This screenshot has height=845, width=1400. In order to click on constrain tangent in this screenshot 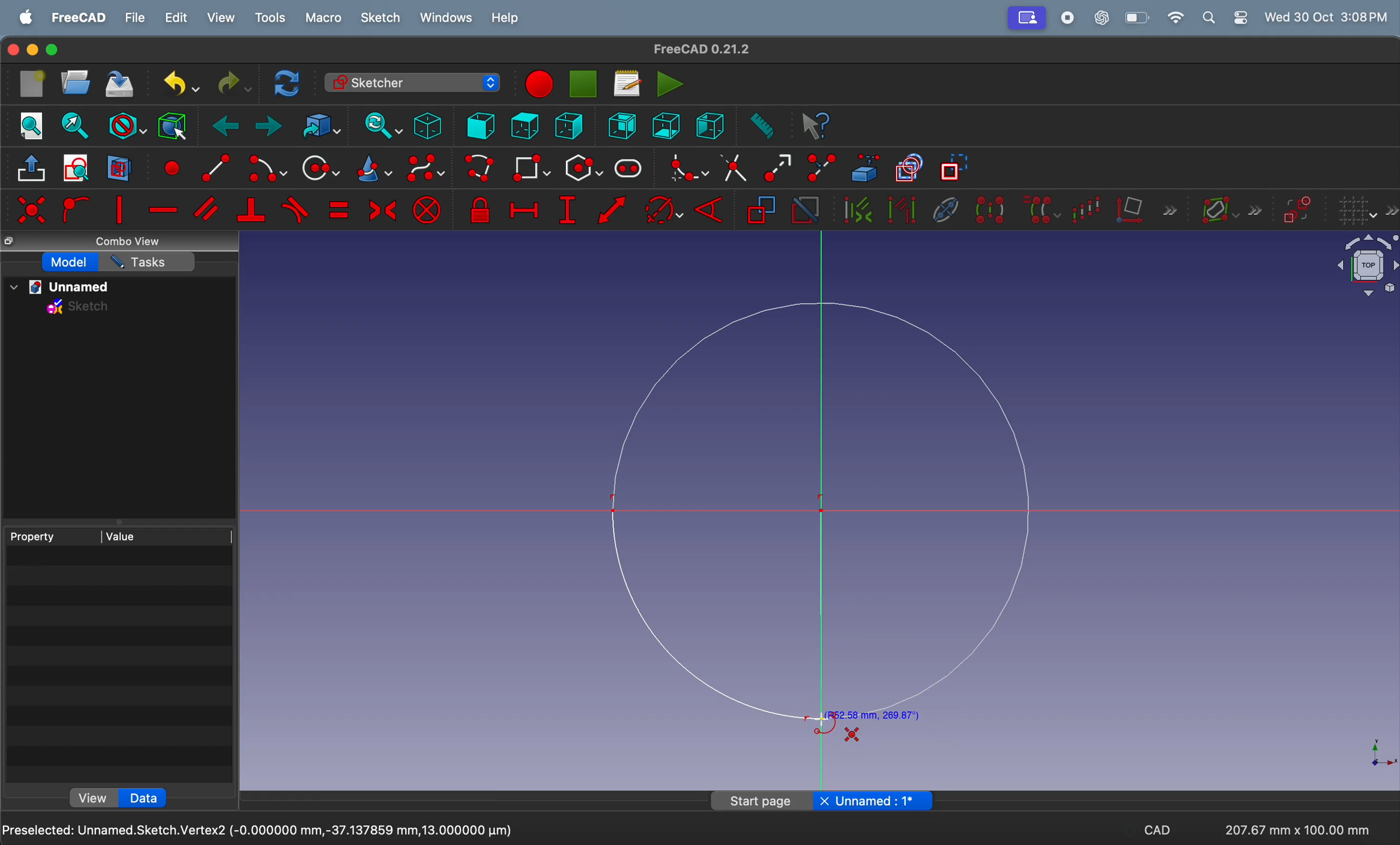, I will do `click(296, 210)`.